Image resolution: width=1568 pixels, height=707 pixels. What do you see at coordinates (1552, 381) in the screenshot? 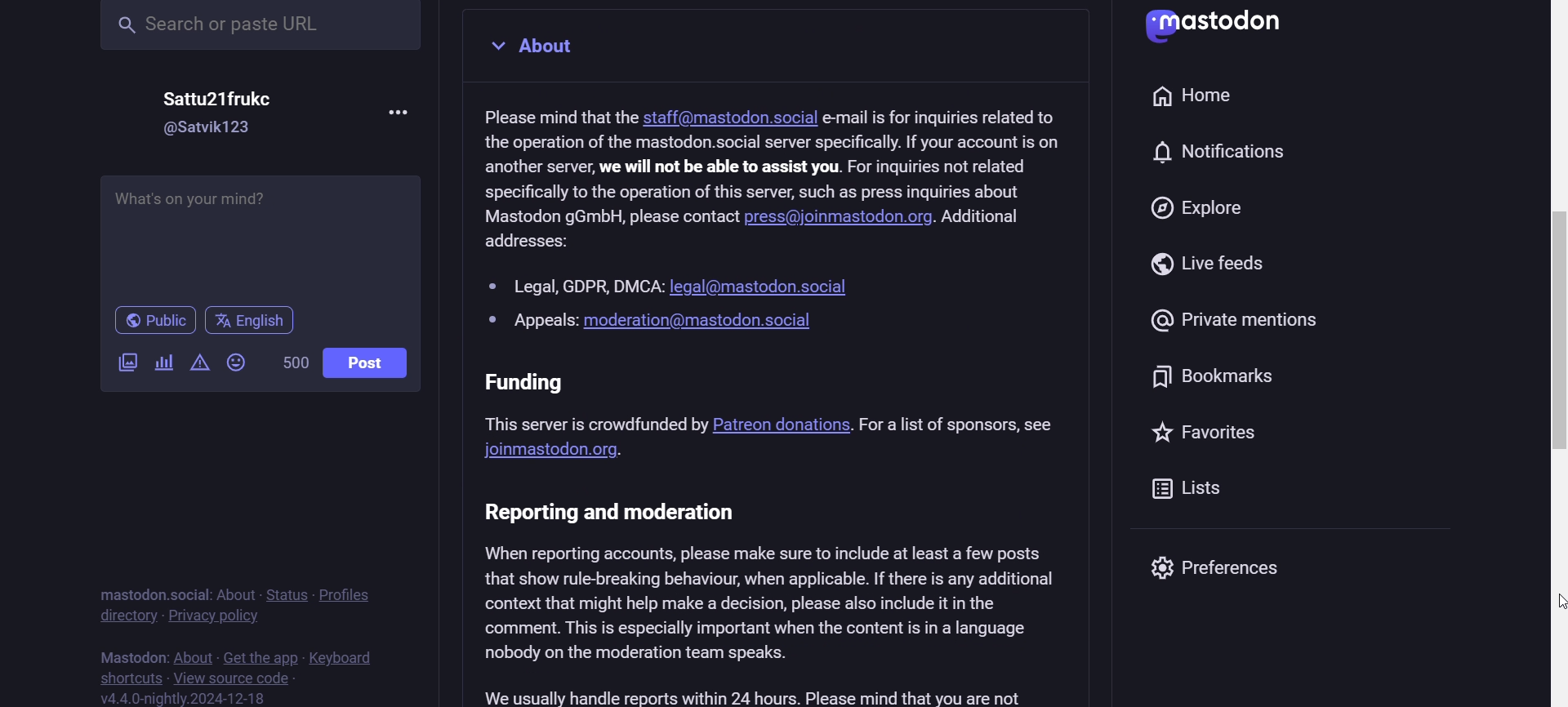
I see `slider` at bounding box center [1552, 381].